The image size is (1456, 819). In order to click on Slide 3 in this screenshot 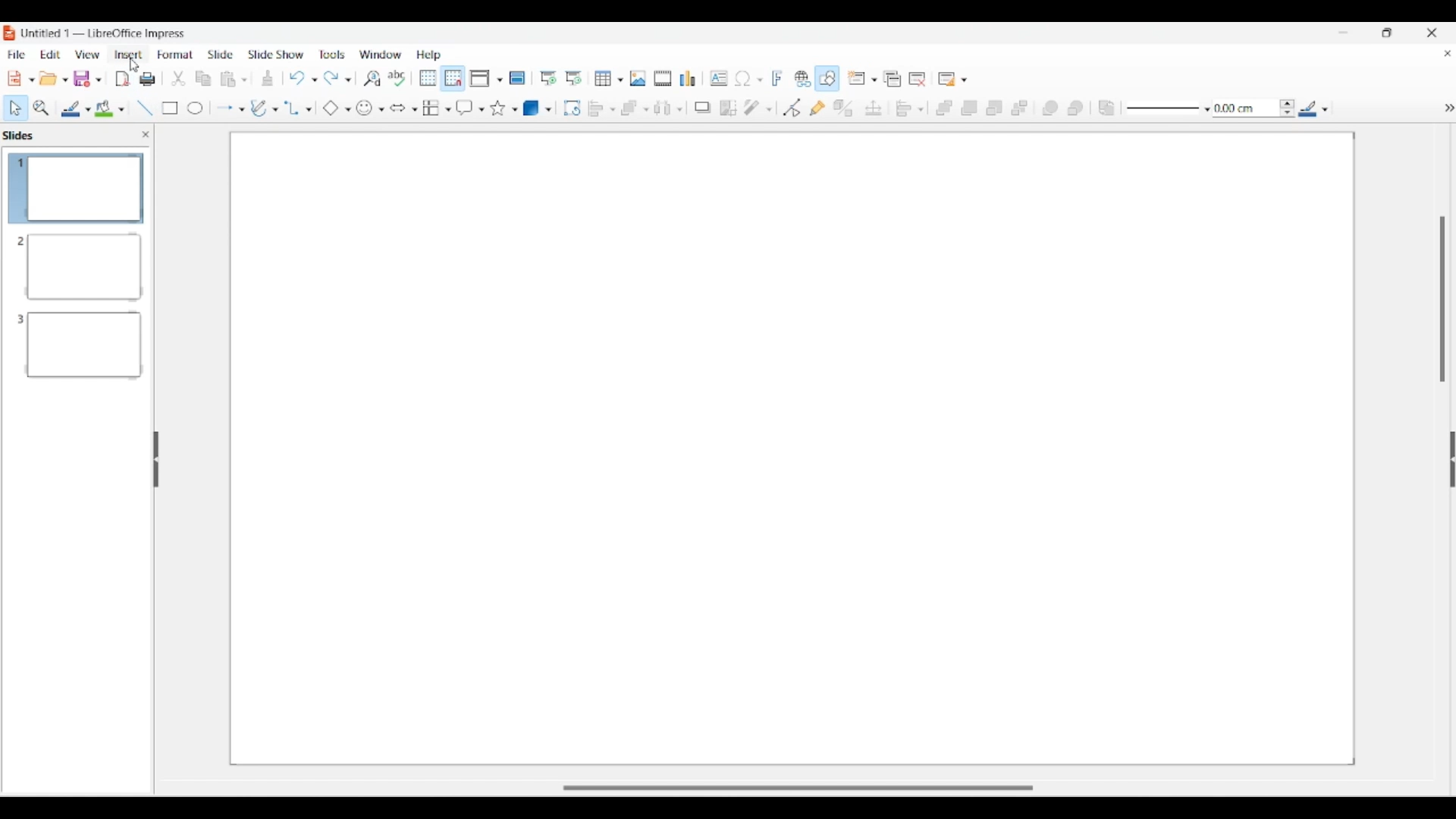, I will do `click(80, 344)`.